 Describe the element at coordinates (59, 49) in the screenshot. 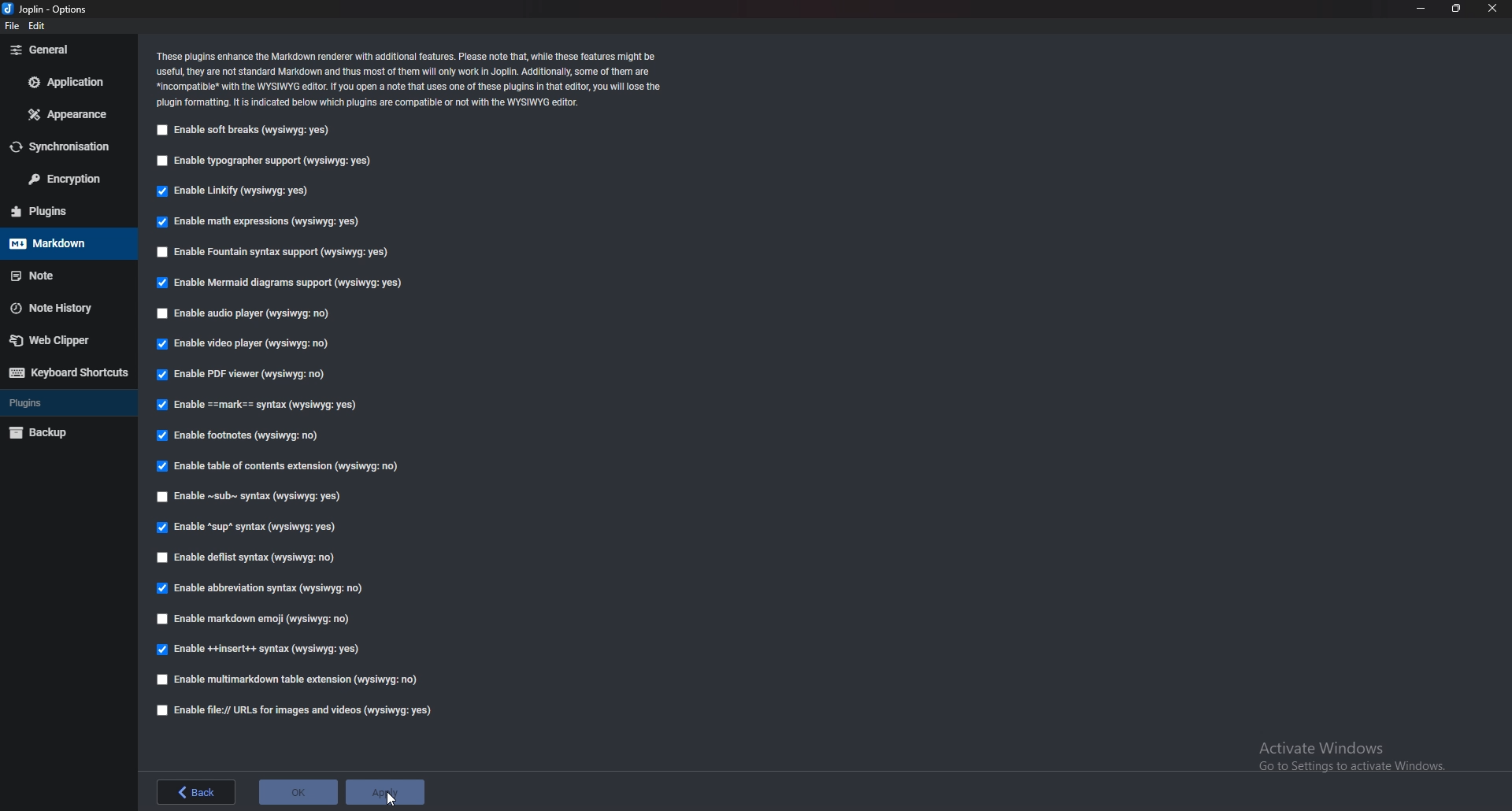

I see `General` at that location.